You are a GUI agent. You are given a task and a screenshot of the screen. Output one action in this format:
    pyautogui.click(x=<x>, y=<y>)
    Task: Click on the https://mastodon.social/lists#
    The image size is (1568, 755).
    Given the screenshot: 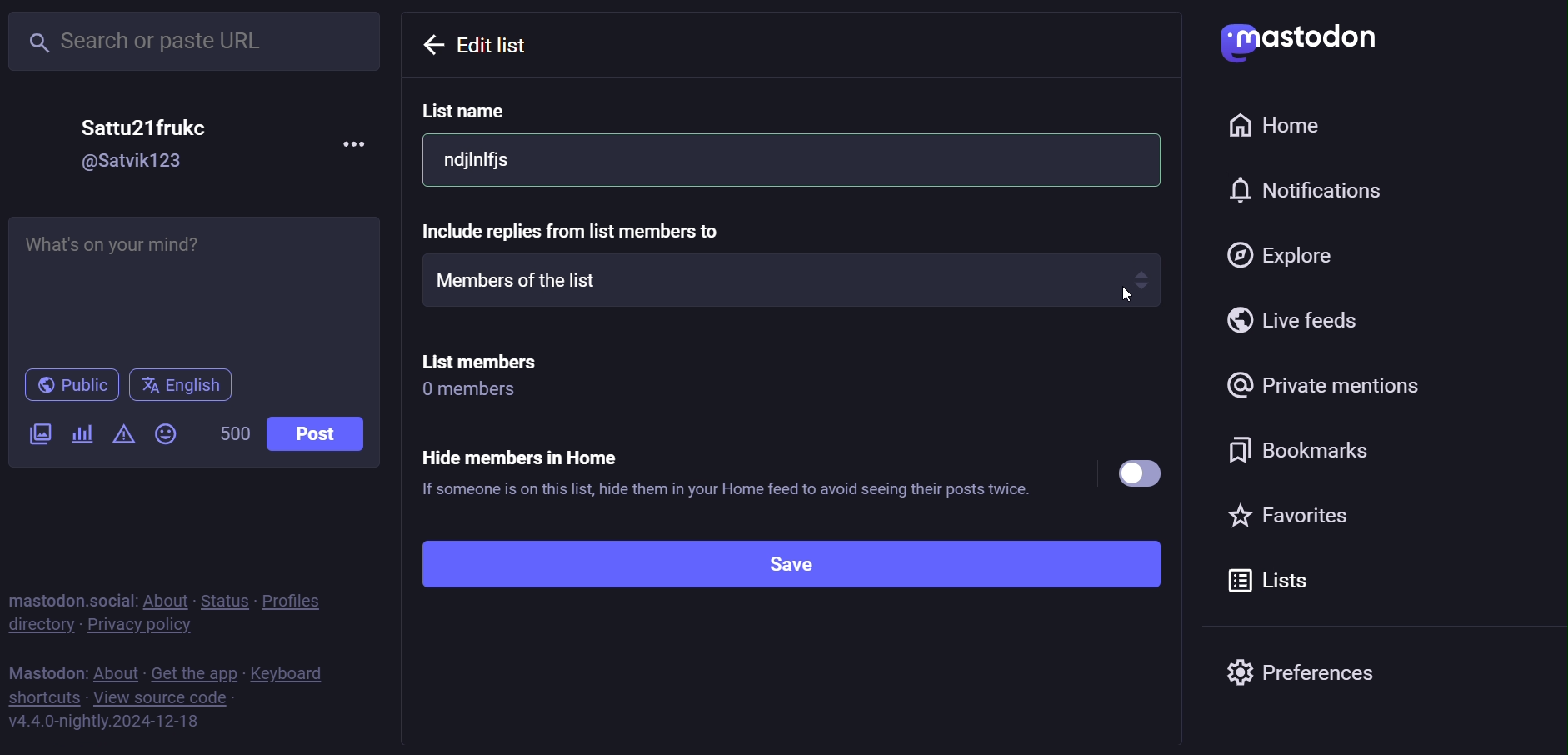 What is the action you would take?
    pyautogui.click(x=111, y=721)
    